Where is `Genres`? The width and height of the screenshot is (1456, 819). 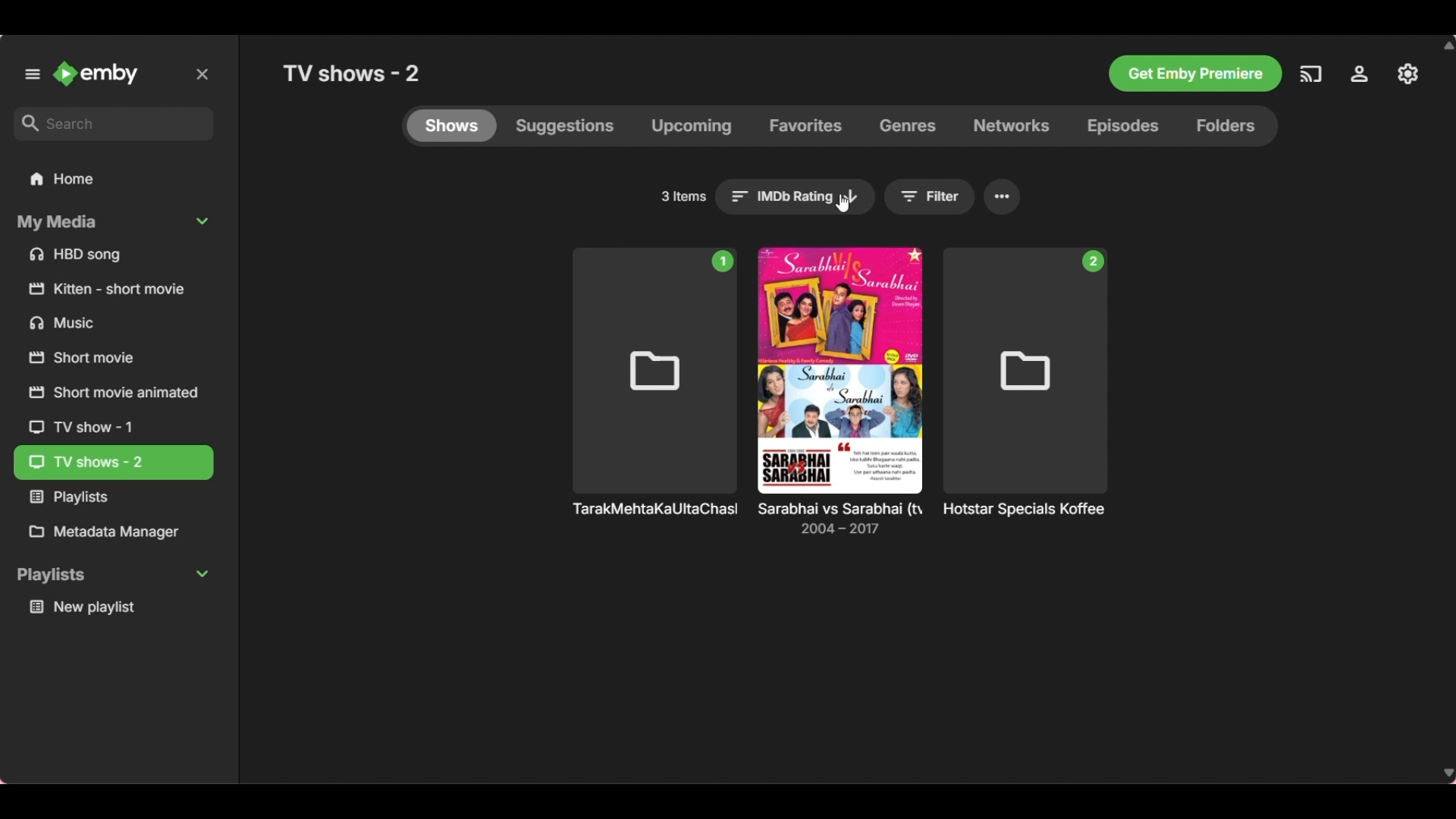 Genres is located at coordinates (908, 127).